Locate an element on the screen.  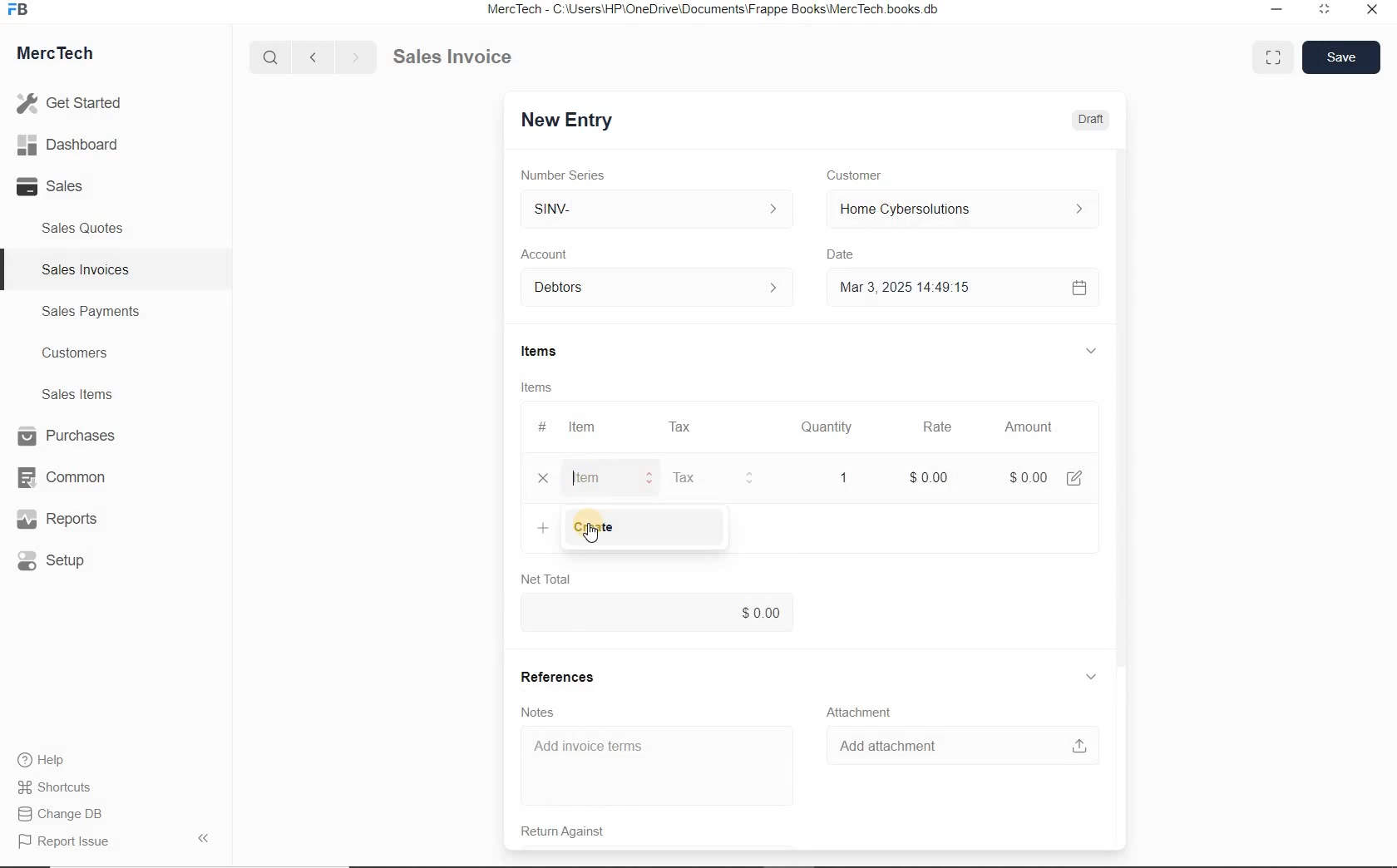
Sales Invoices is located at coordinates (86, 269).